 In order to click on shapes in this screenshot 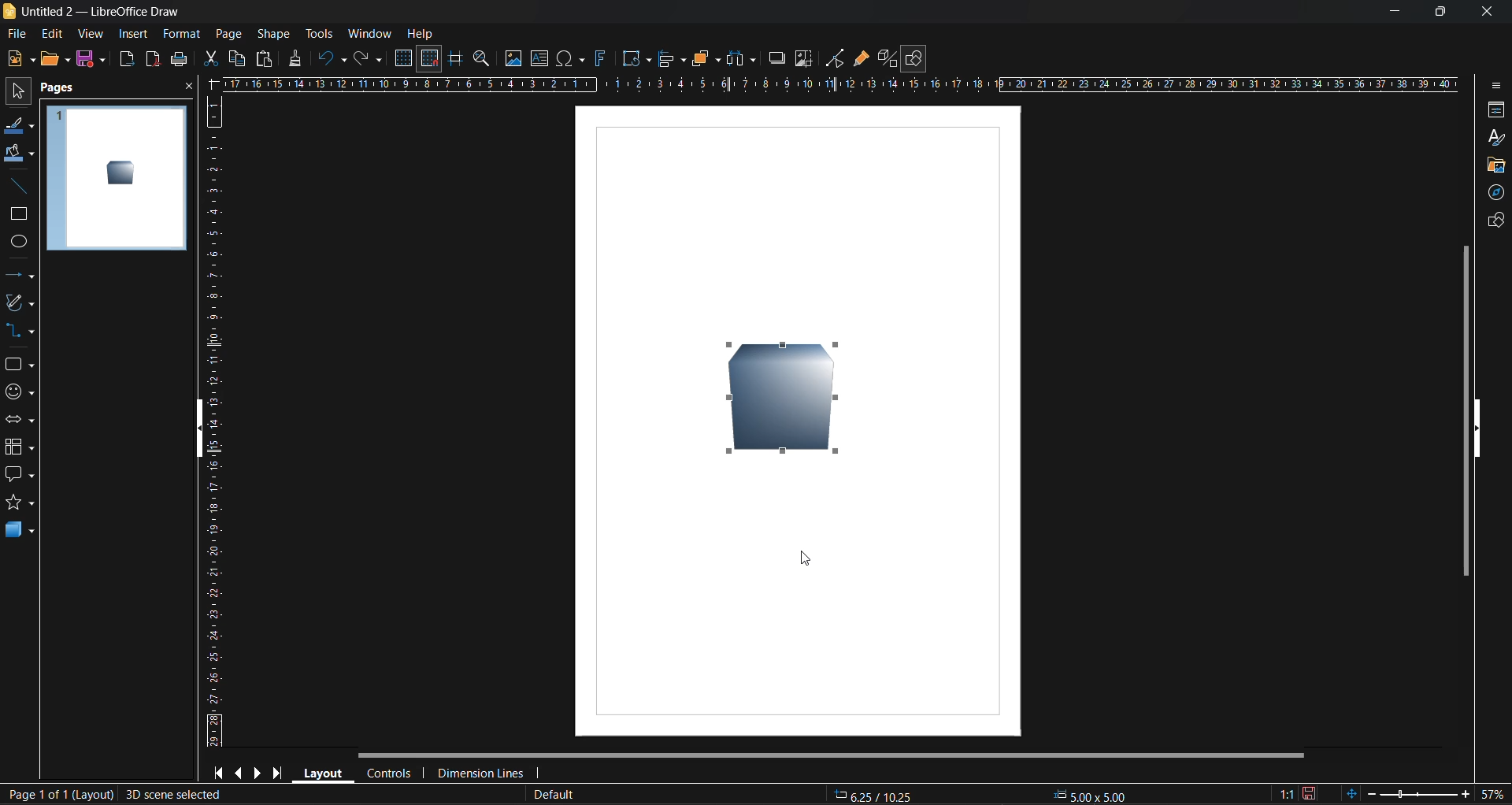, I will do `click(18, 365)`.